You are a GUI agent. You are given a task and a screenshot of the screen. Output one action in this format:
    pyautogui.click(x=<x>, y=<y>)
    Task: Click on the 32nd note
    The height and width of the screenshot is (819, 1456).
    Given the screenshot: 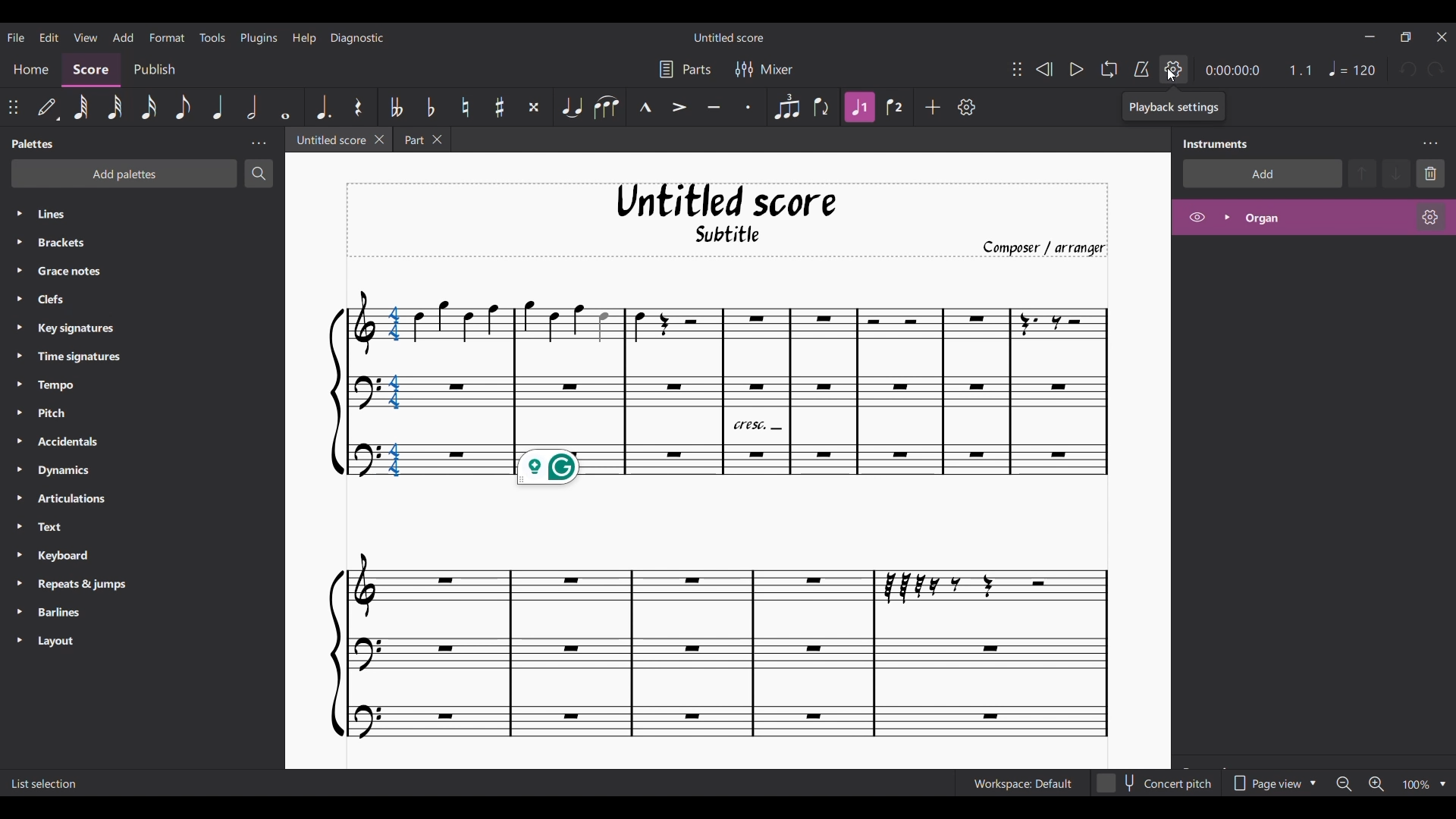 What is the action you would take?
    pyautogui.click(x=115, y=108)
    